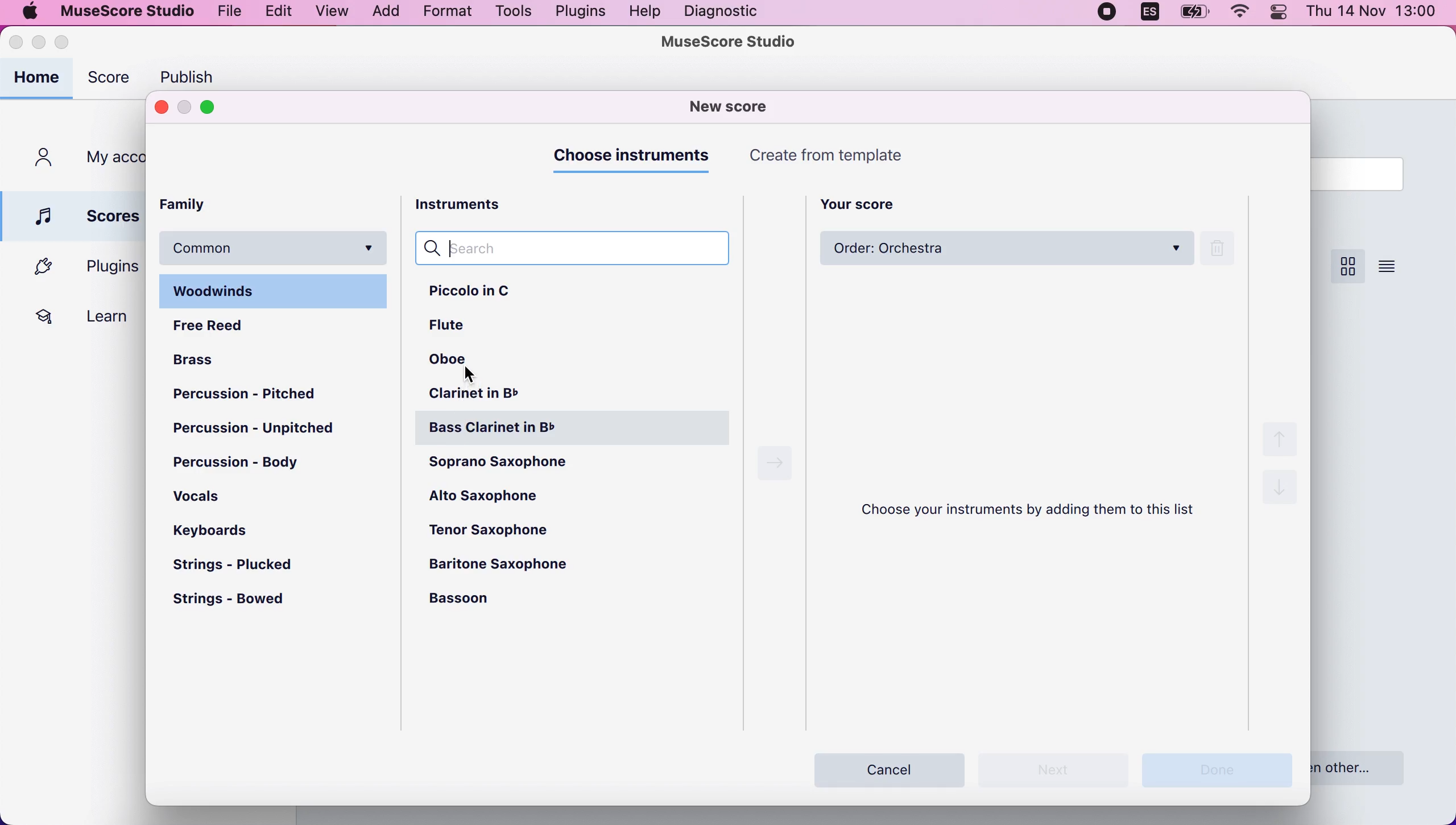 This screenshot has height=825, width=1456. Describe the element at coordinates (279, 13) in the screenshot. I see `edit` at that location.